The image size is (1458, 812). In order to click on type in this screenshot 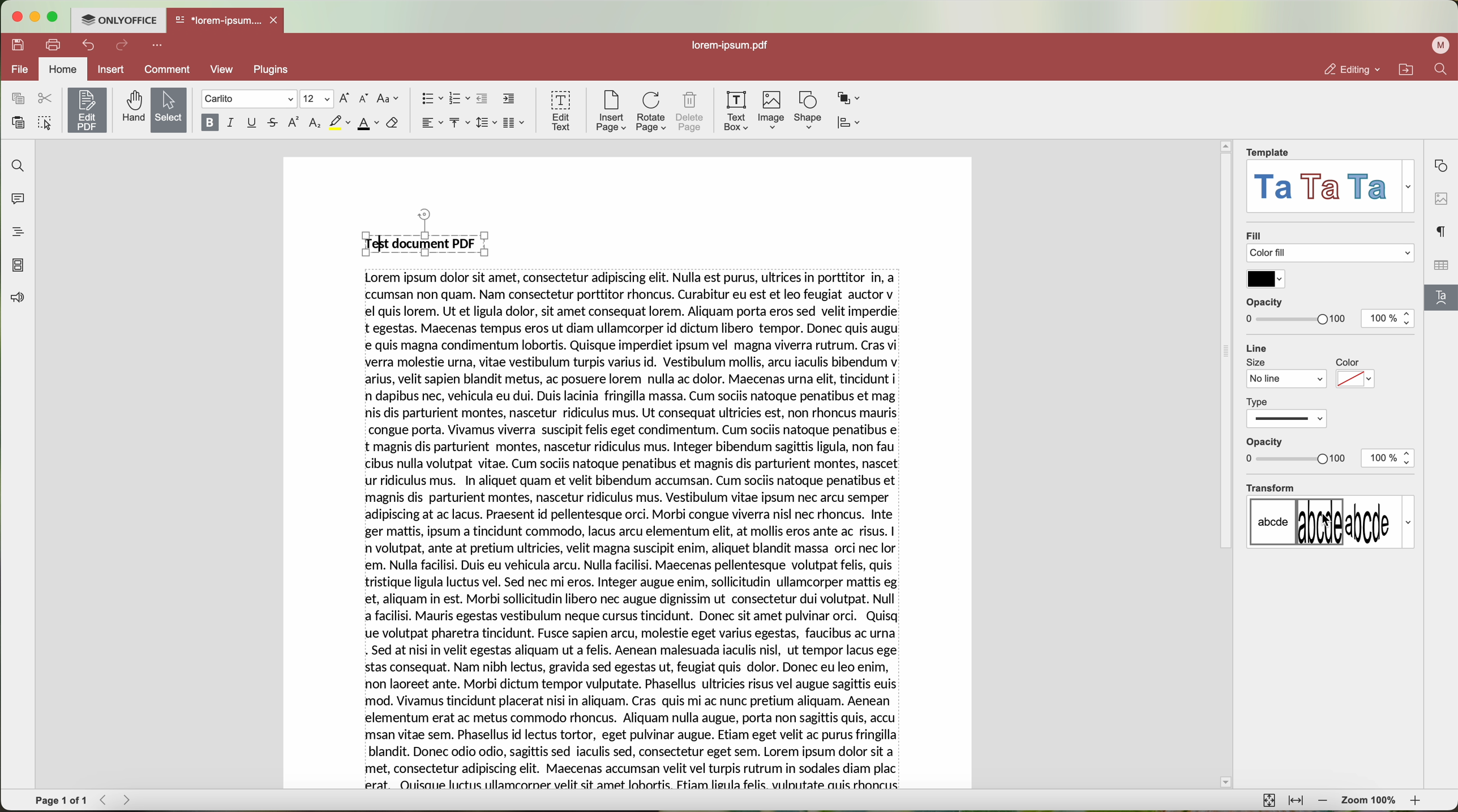, I will do `click(1288, 411)`.